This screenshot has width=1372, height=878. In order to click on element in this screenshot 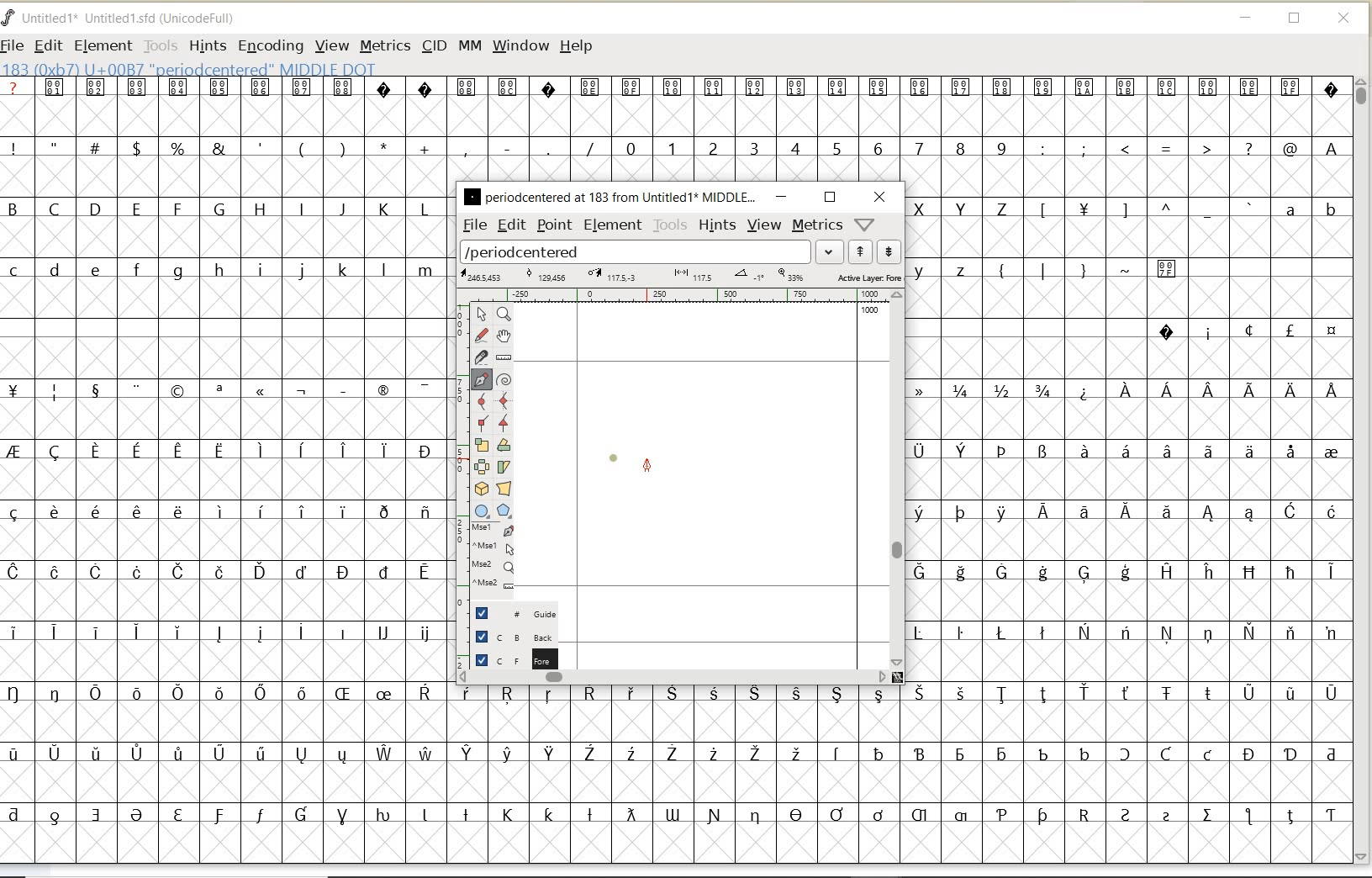, I will do `click(610, 225)`.